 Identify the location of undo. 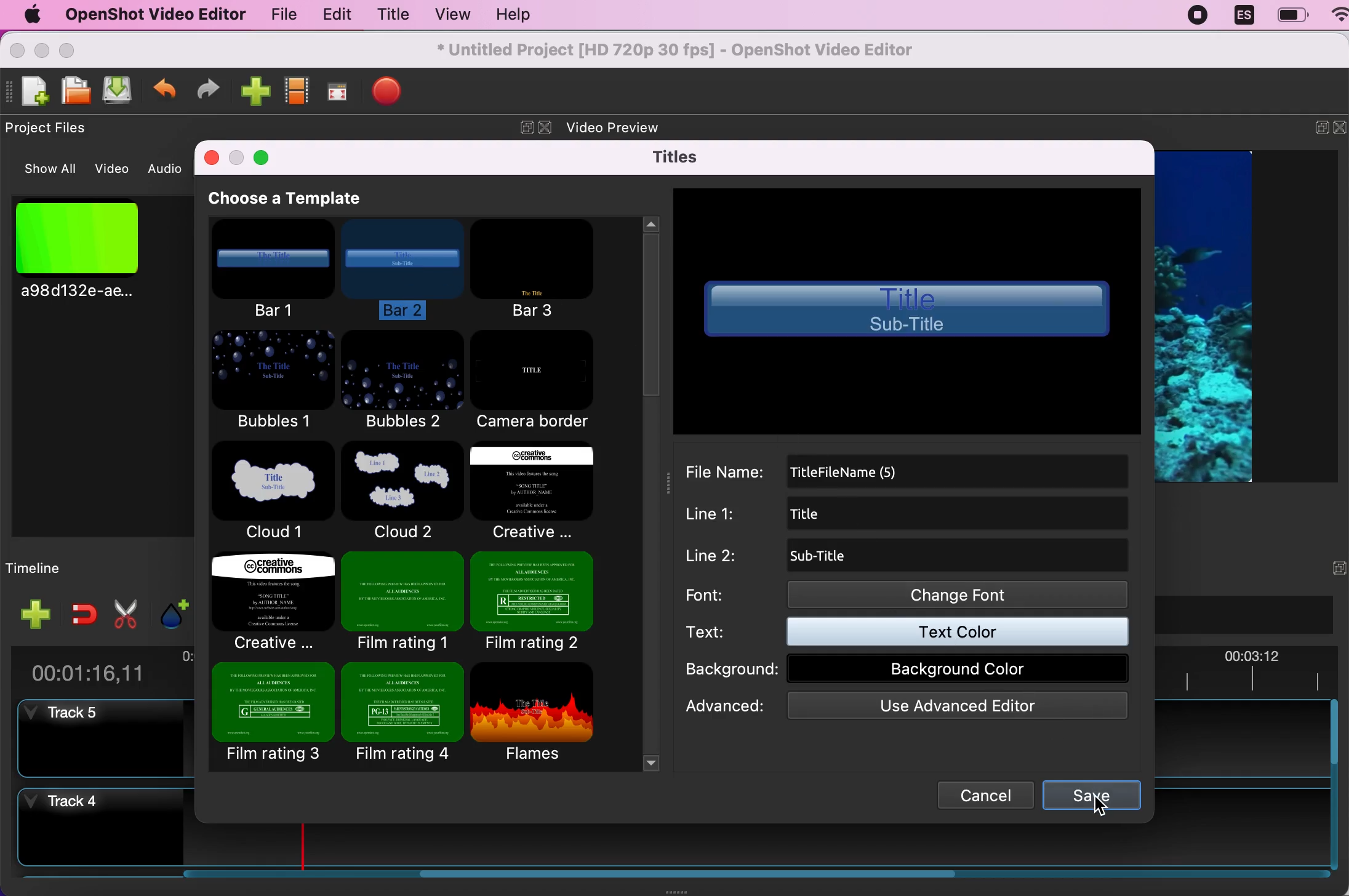
(166, 89).